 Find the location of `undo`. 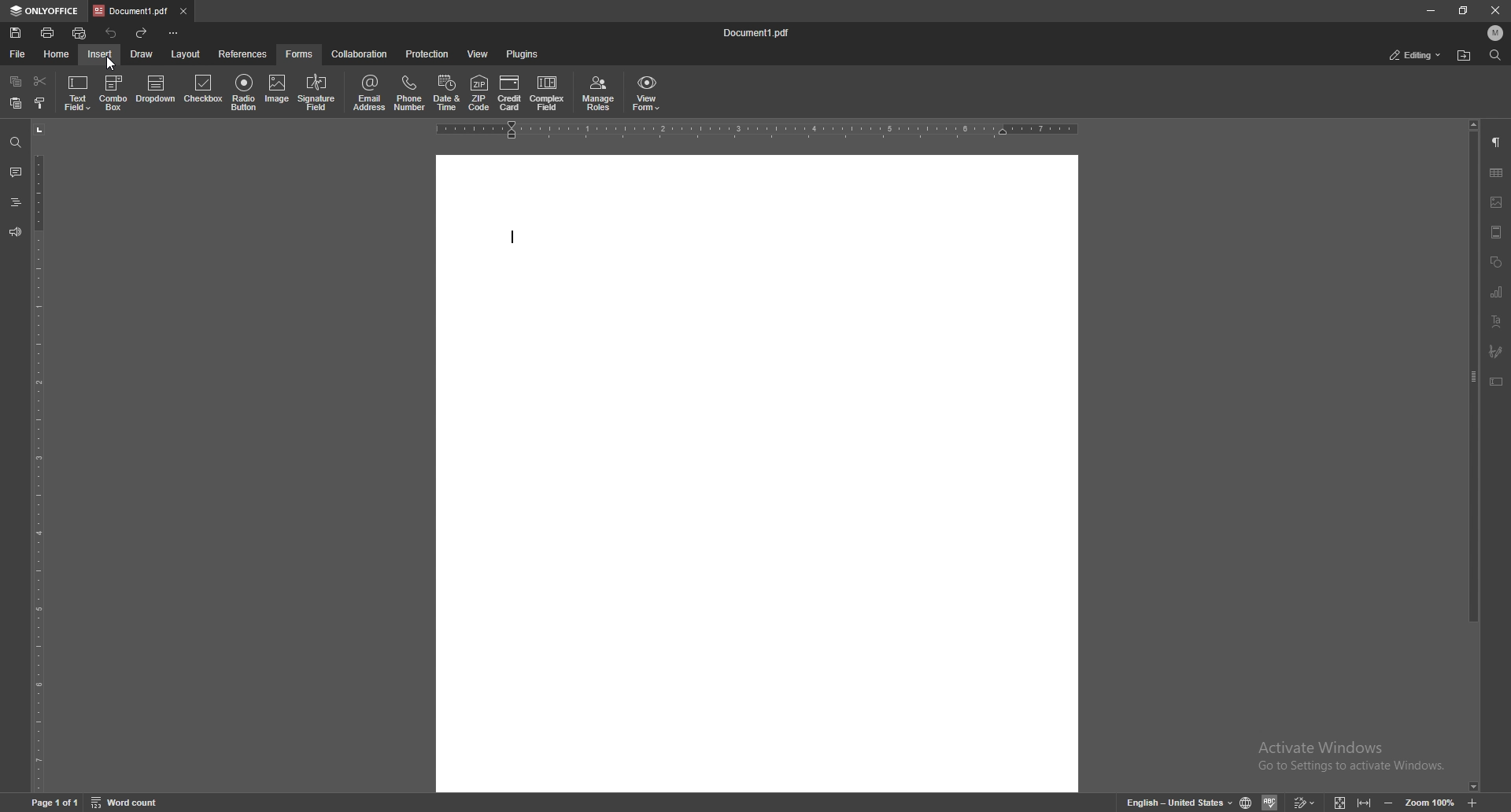

undo is located at coordinates (113, 34).